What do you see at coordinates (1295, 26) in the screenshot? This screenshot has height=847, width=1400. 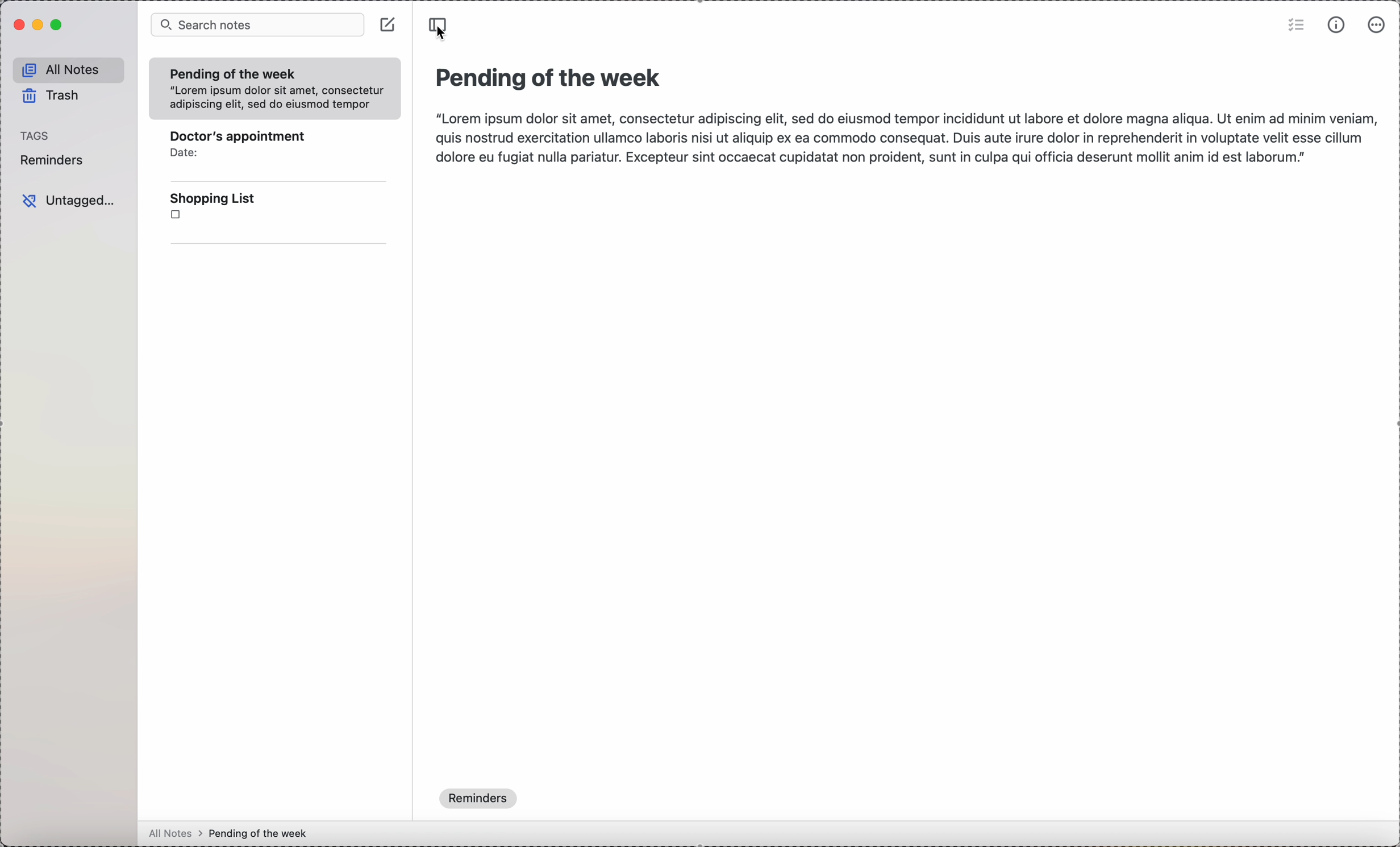 I see `check list` at bounding box center [1295, 26].